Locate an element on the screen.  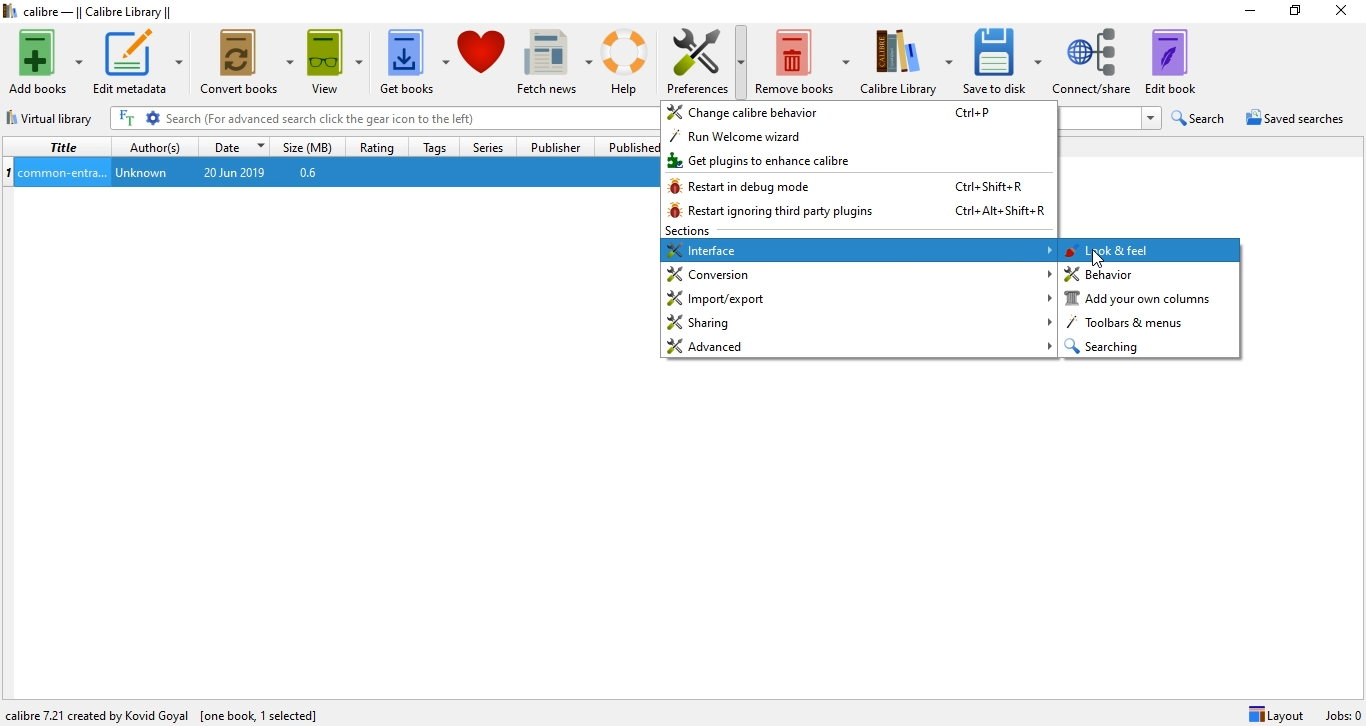
Search is located at coordinates (1201, 118).